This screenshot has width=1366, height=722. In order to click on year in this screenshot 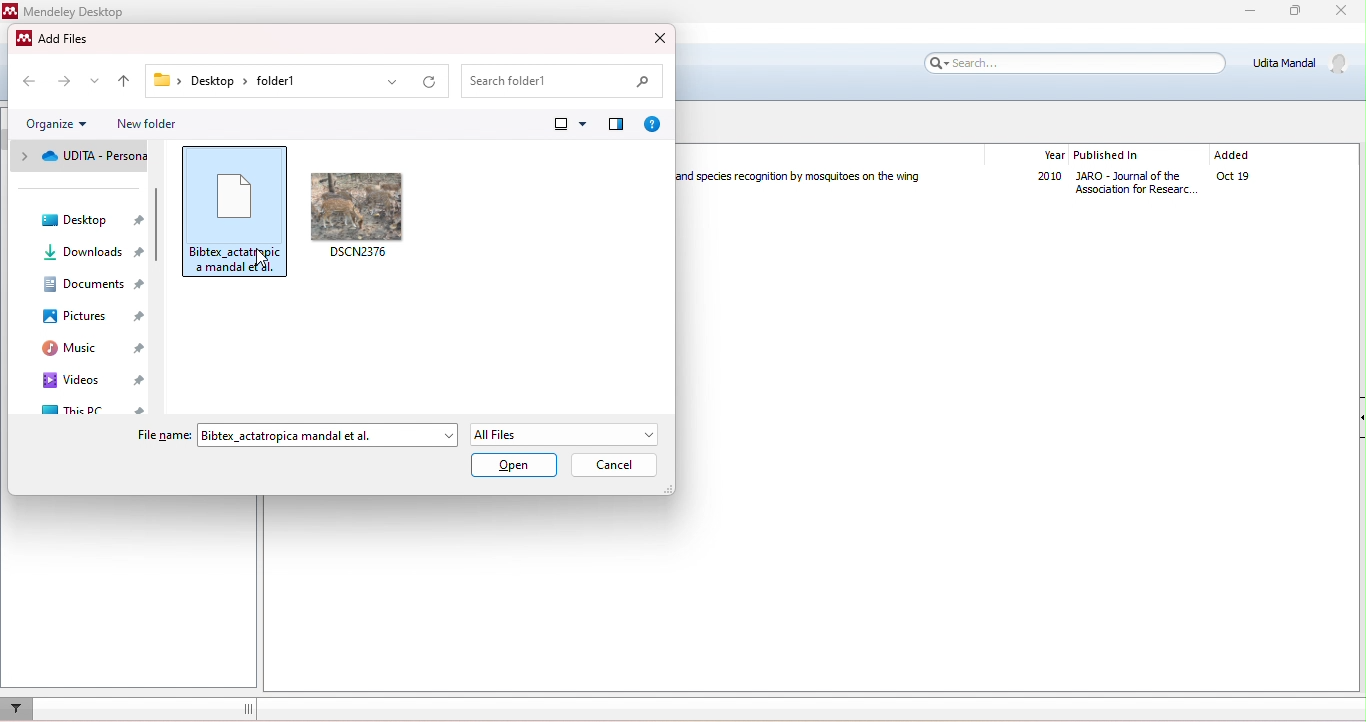, I will do `click(1048, 156)`.